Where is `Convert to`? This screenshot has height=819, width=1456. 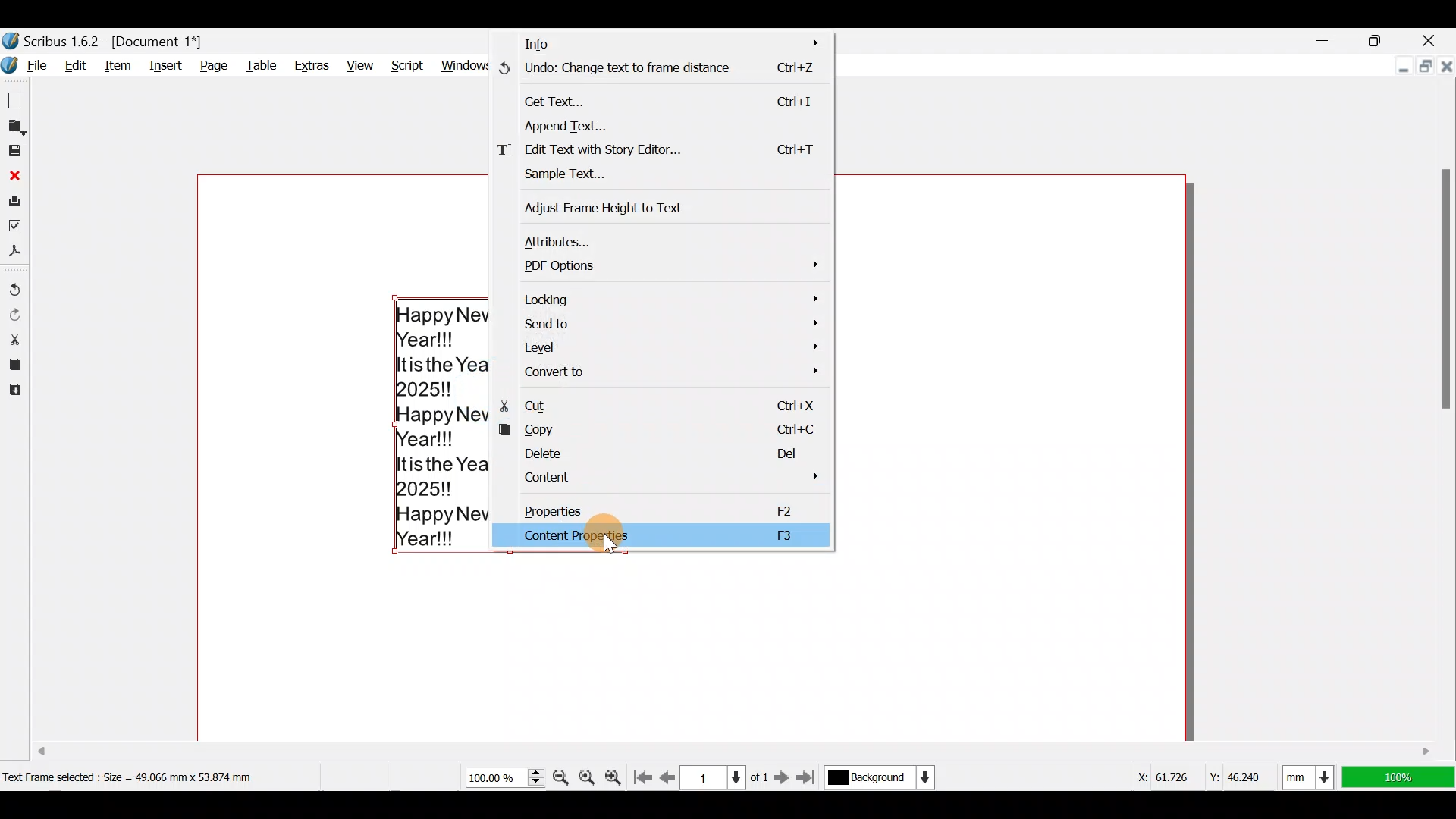 Convert to is located at coordinates (664, 372).